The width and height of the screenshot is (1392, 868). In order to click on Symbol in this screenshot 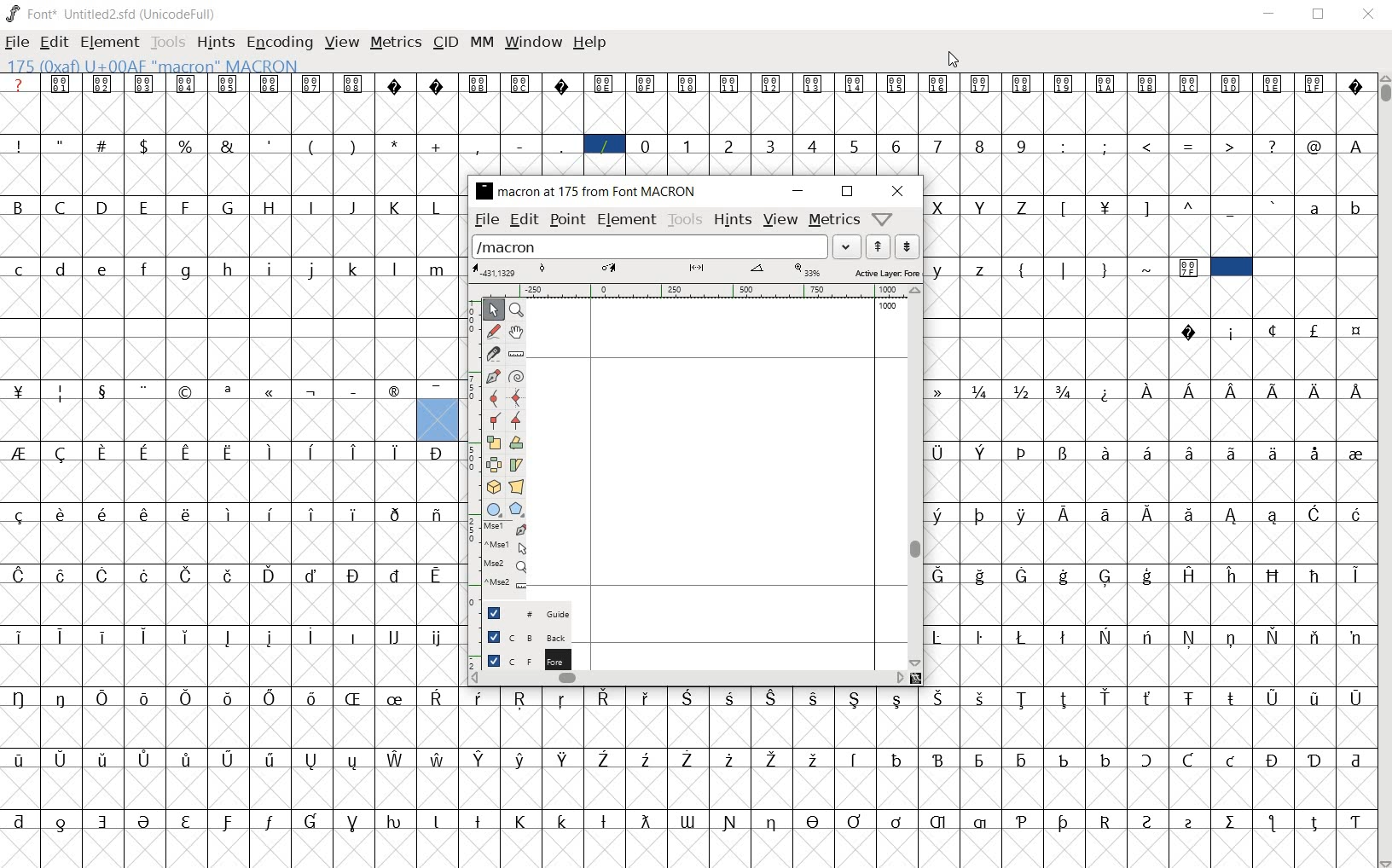, I will do `click(1024, 636)`.